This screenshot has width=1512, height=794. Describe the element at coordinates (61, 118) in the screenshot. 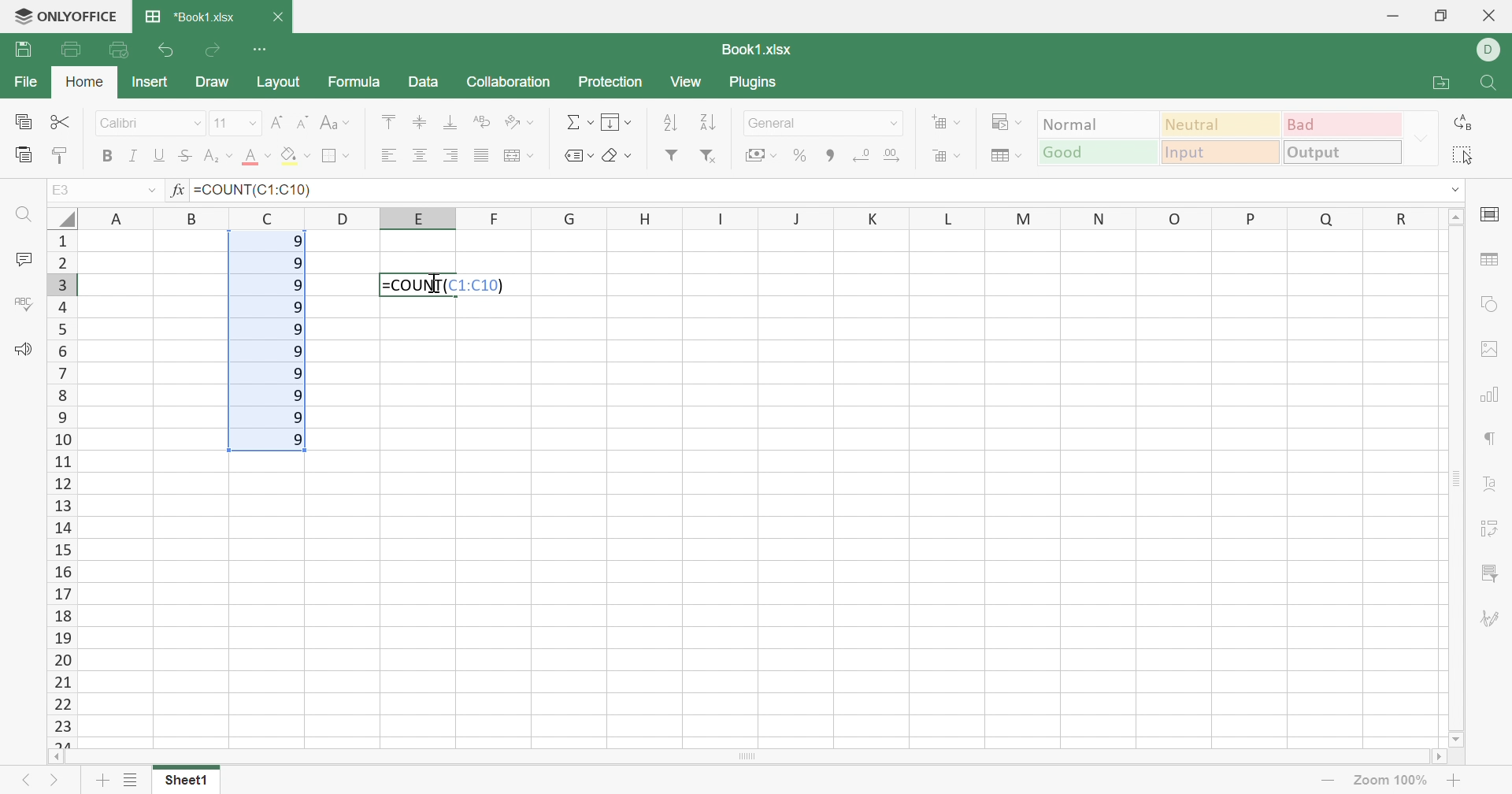

I see `Cut` at that location.